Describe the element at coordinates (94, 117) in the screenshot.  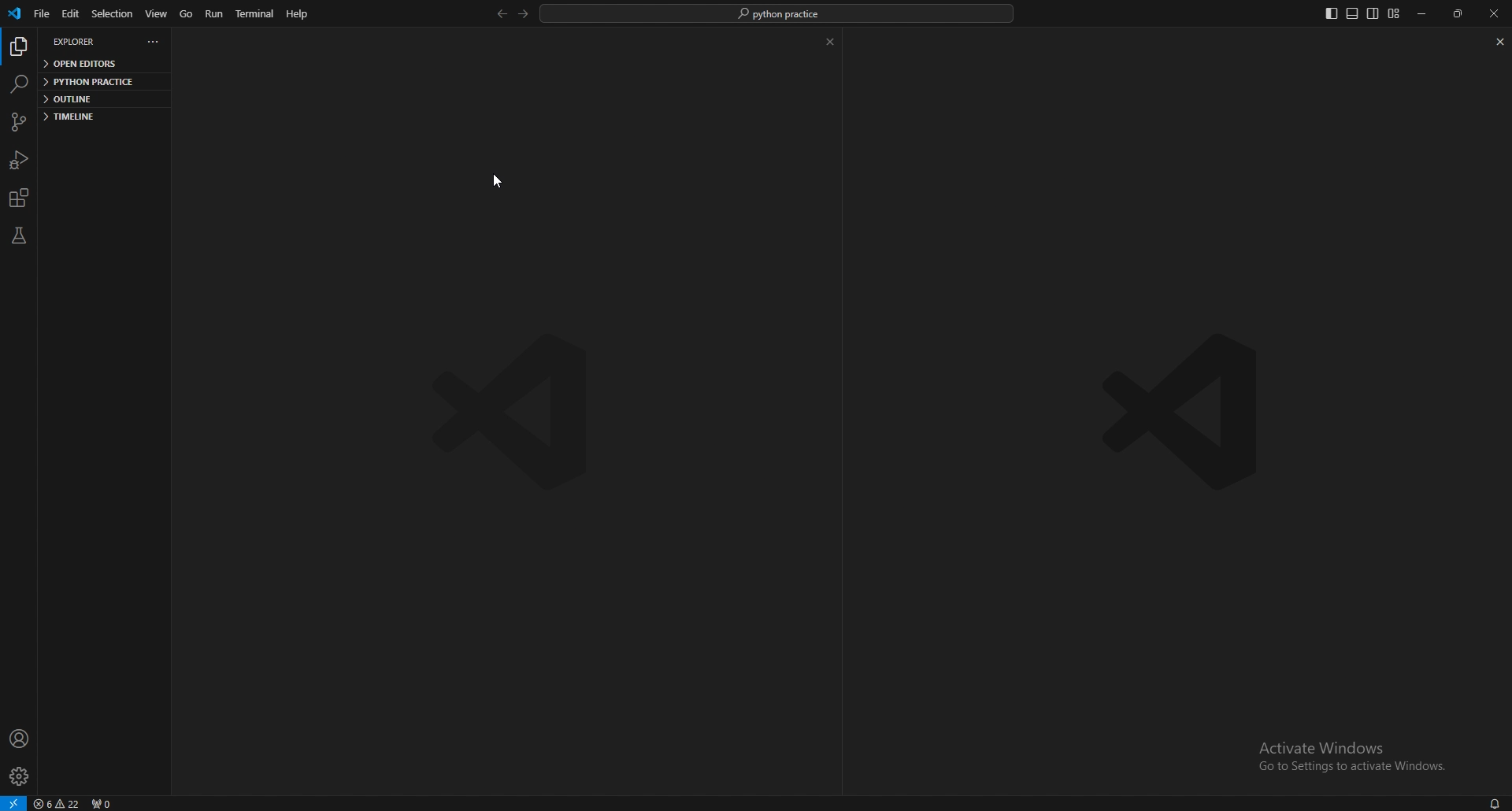
I see `timeline` at that location.